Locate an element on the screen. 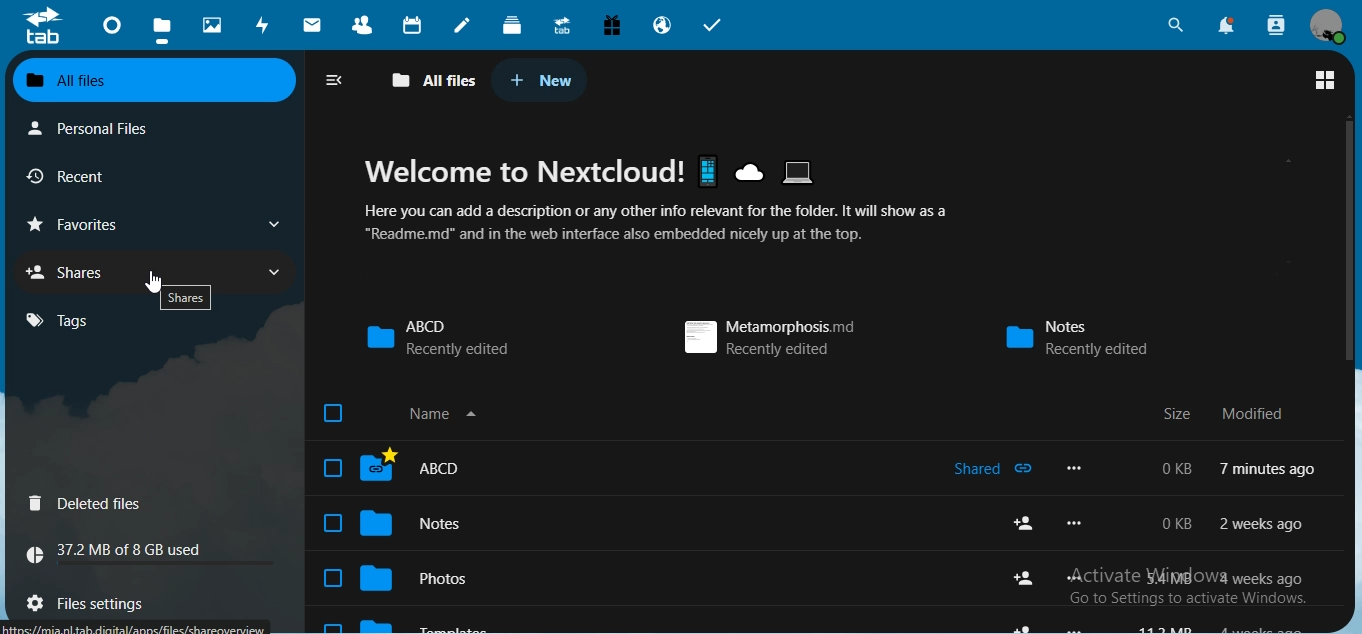 This screenshot has width=1362, height=634. activity is located at coordinates (265, 27).